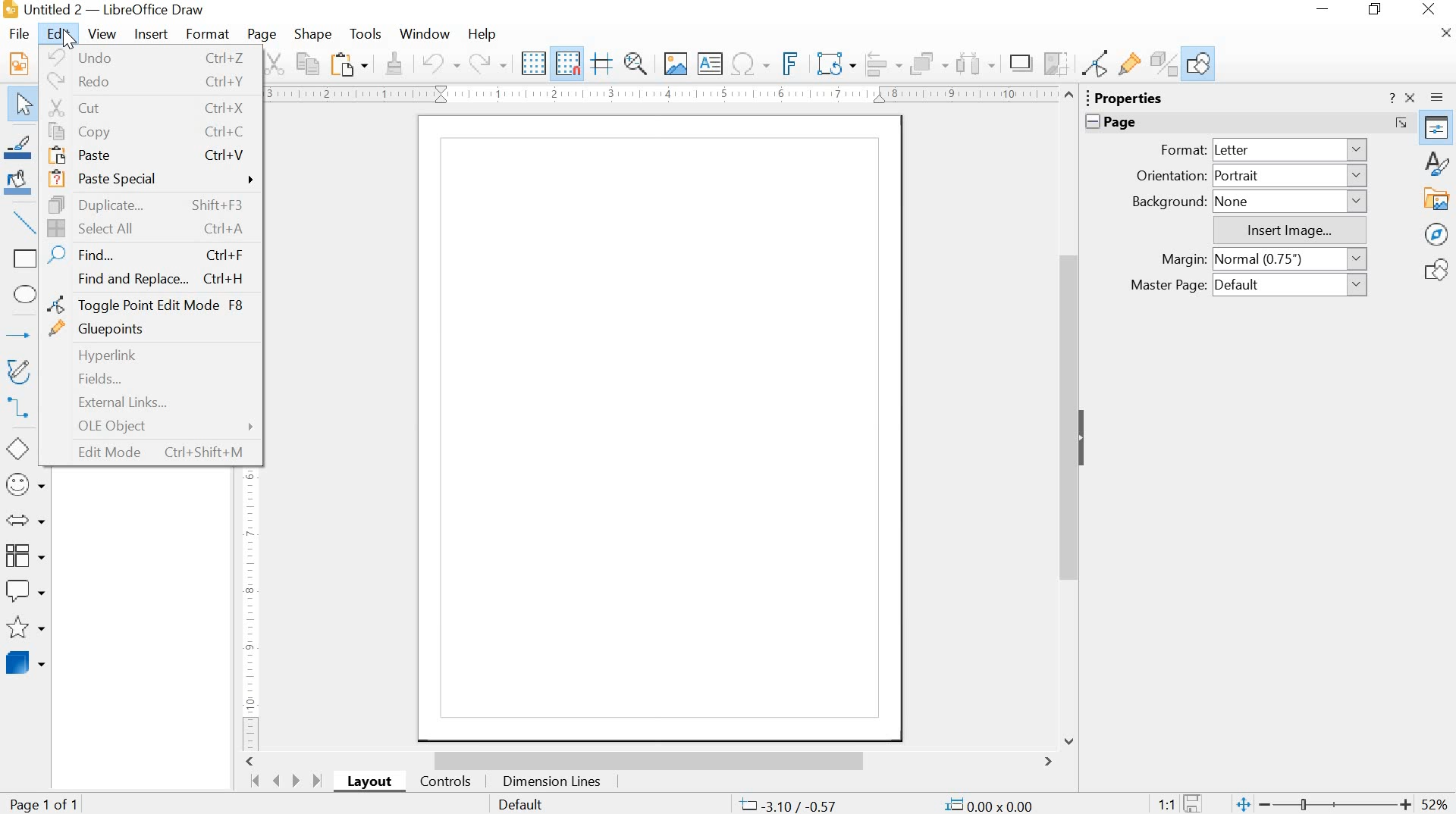 The width and height of the screenshot is (1456, 814). What do you see at coordinates (151, 426) in the screenshot?
I see `ole object` at bounding box center [151, 426].